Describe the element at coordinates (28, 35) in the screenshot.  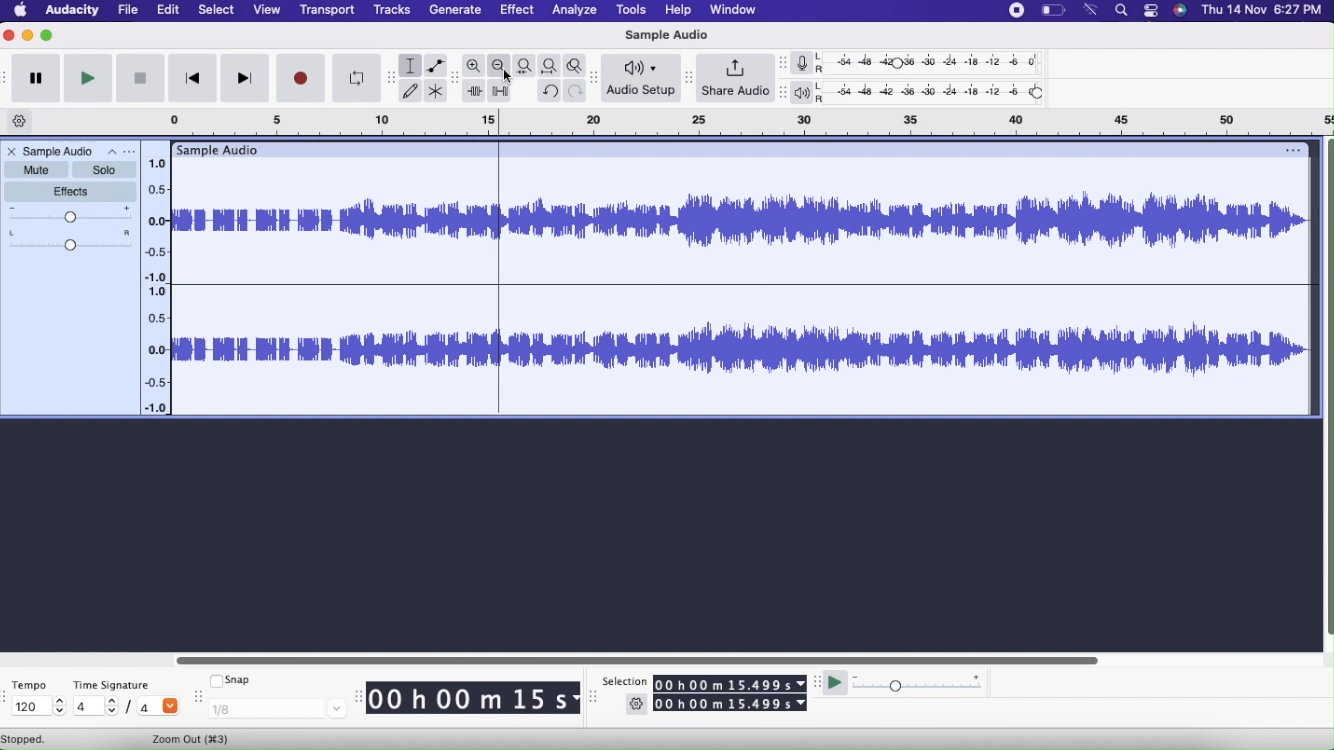
I see `Minimize` at that location.